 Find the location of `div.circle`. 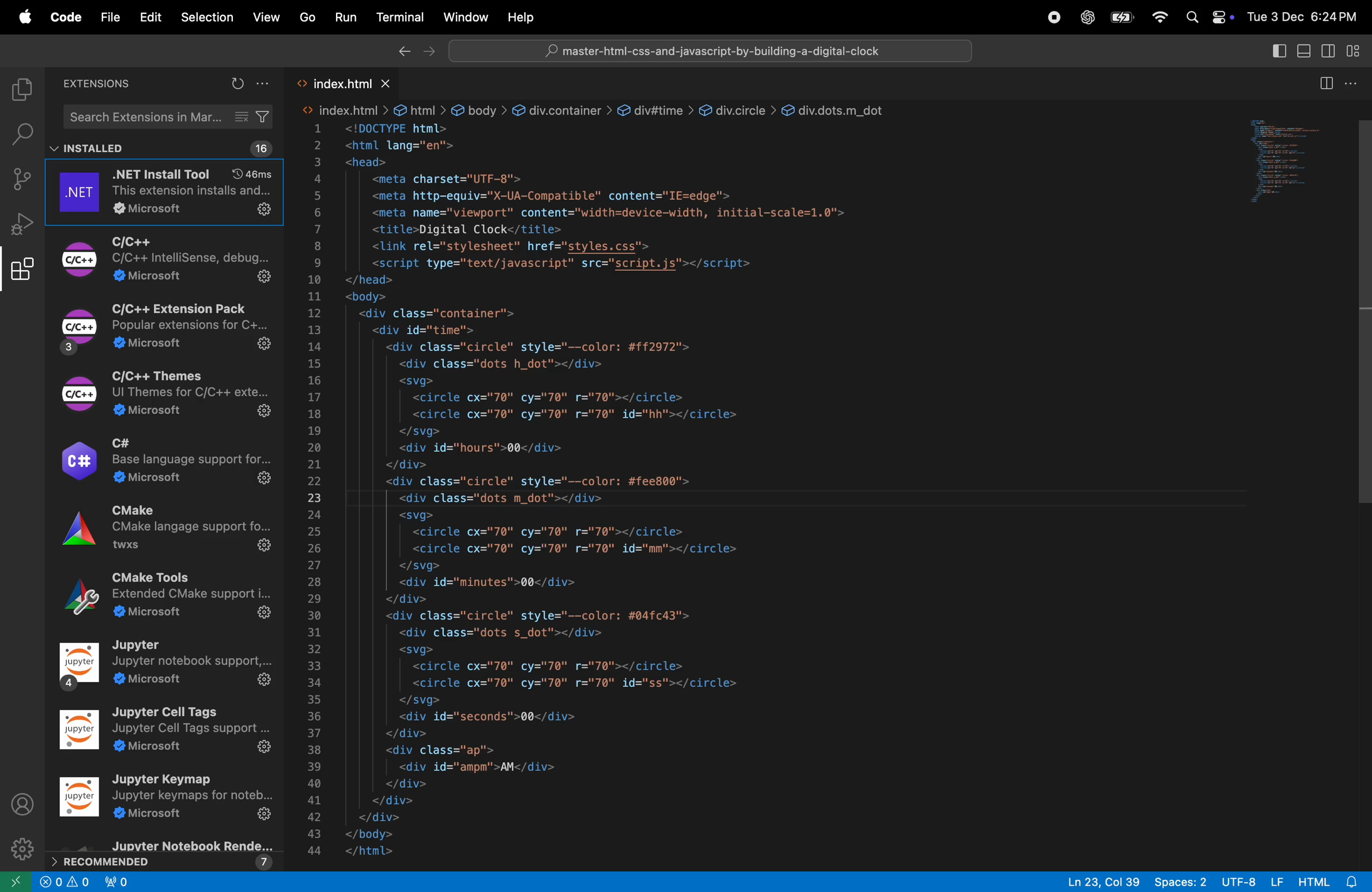

div.circle is located at coordinates (729, 108).